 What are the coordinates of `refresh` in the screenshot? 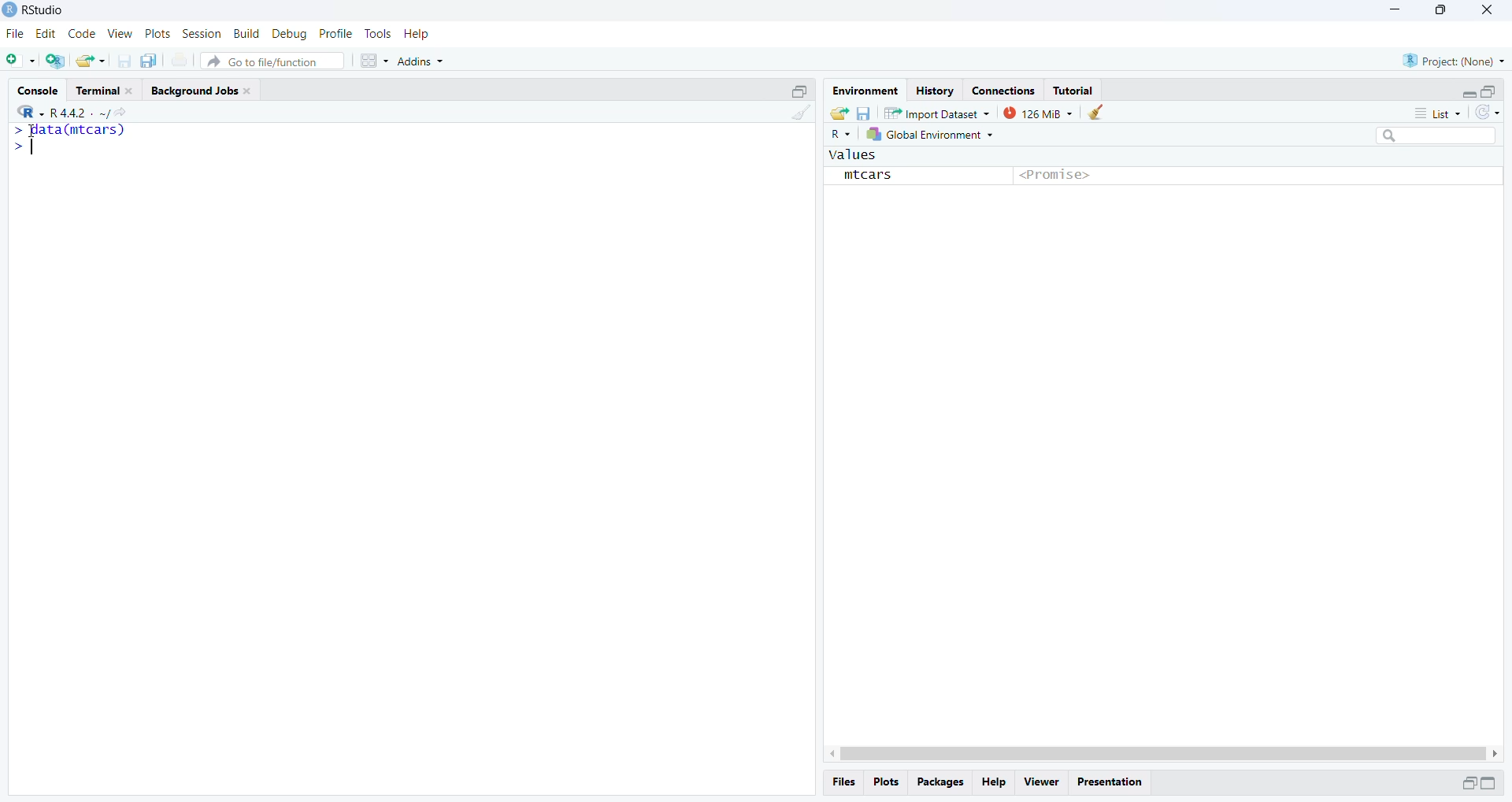 It's located at (1488, 113).